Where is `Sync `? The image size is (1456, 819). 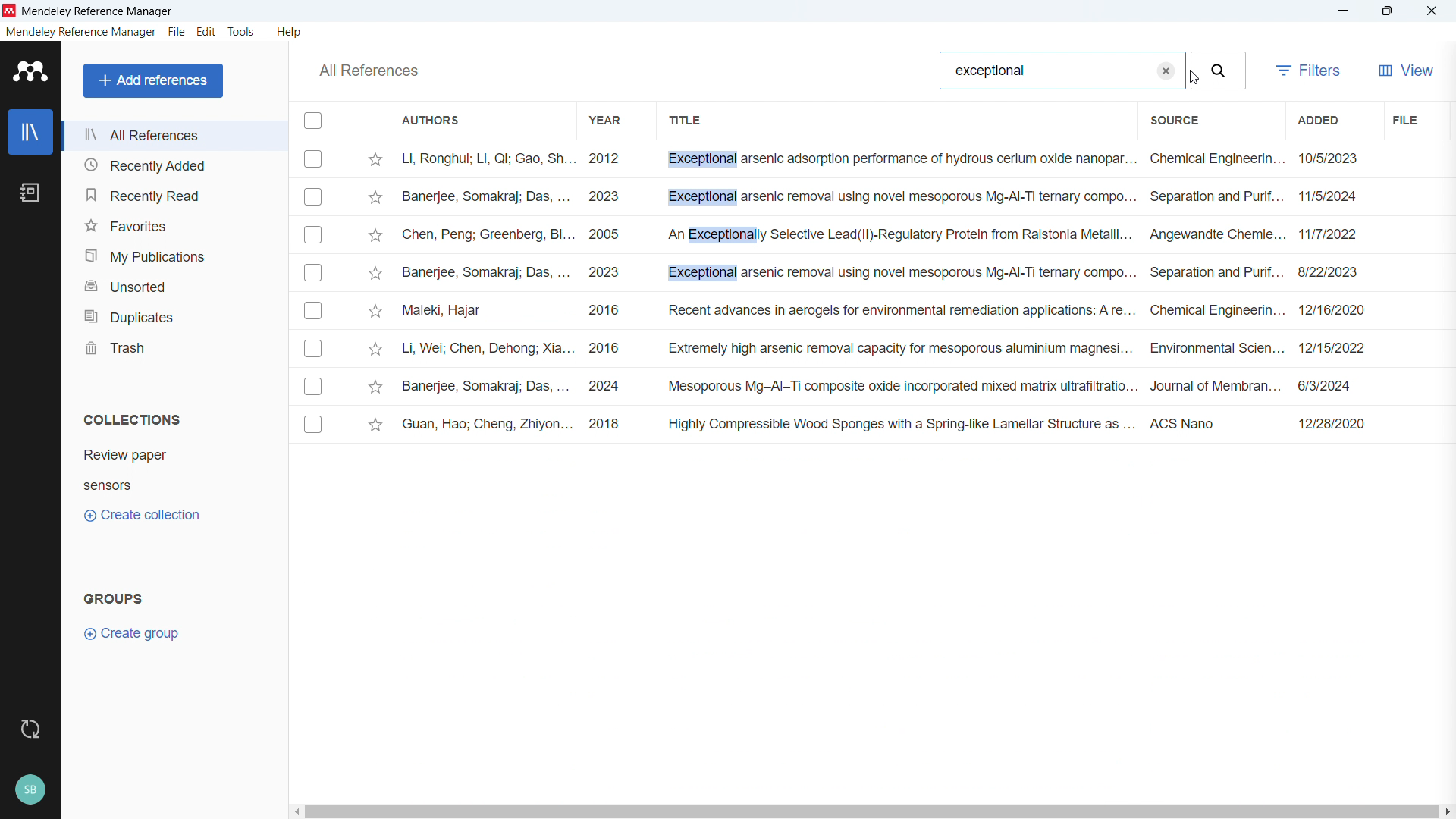 Sync  is located at coordinates (27, 730).